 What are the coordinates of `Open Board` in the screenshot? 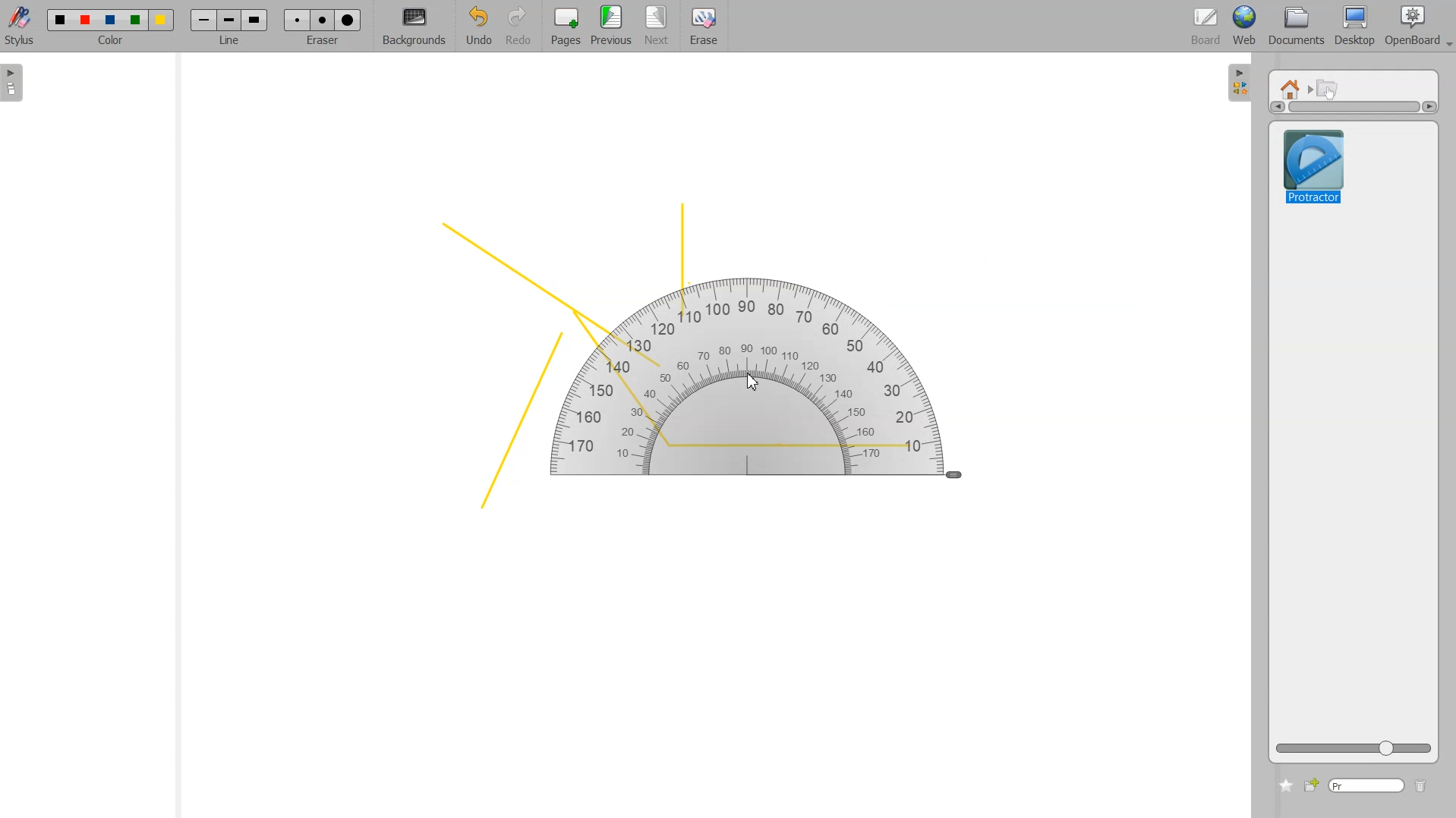 It's located at (1418, 27).